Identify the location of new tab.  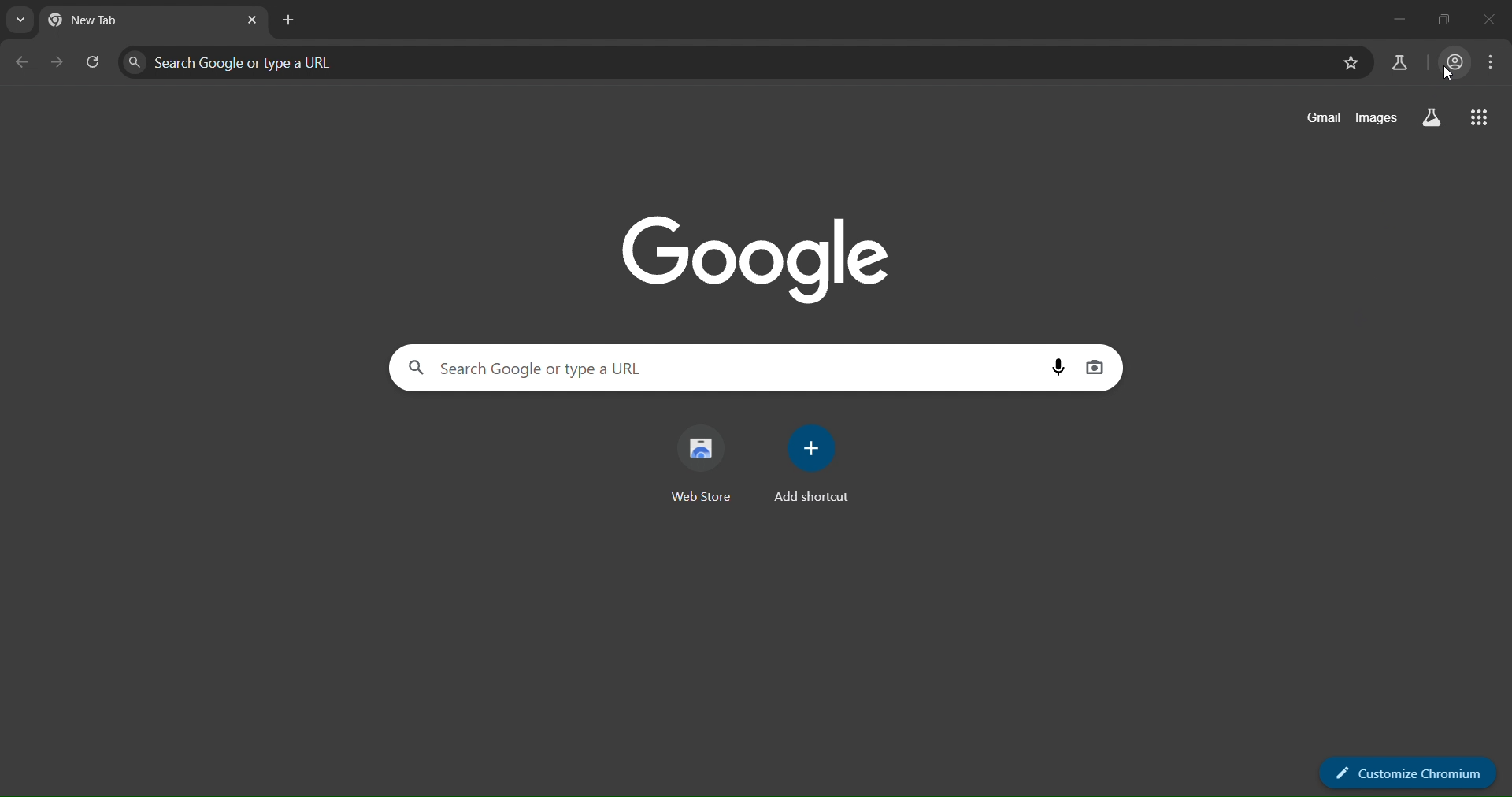
(287, 18).